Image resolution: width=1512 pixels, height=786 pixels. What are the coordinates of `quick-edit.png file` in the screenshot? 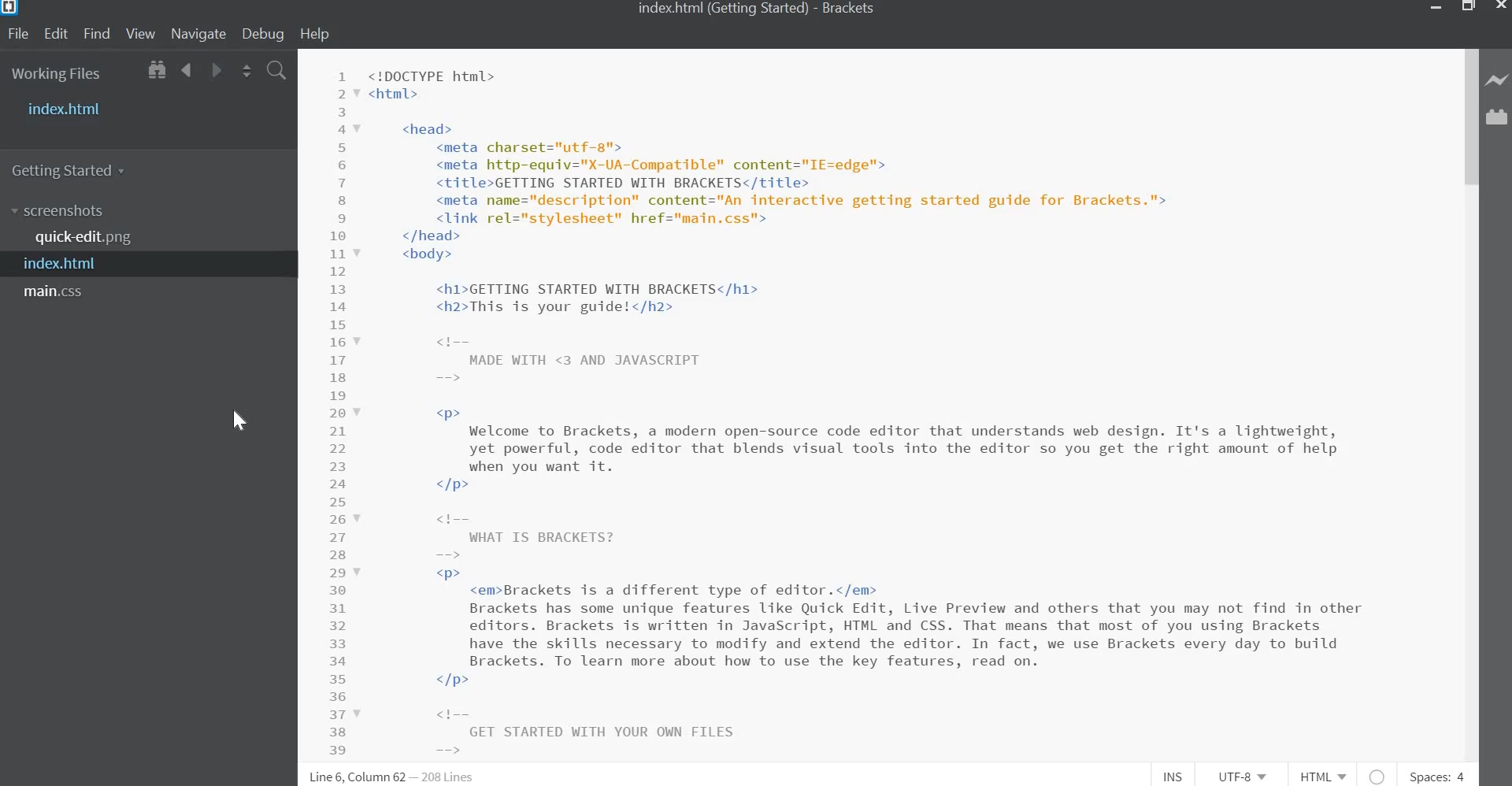 It's located at (87, 238).